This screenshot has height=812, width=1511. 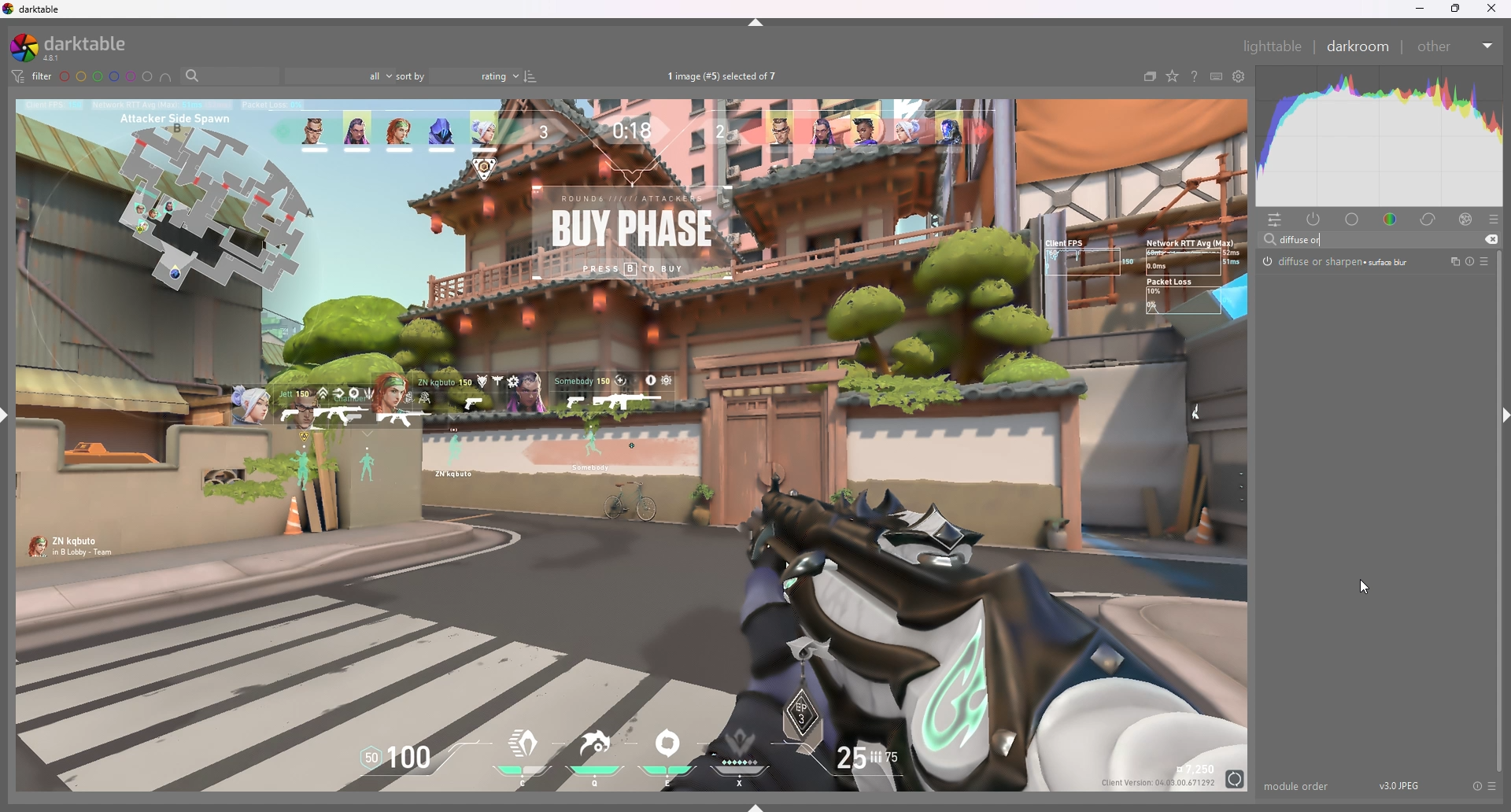 What do you see at coordinates (1194, 76) in the screenshot?
I see `online help` at bounding box center [1194, 76].